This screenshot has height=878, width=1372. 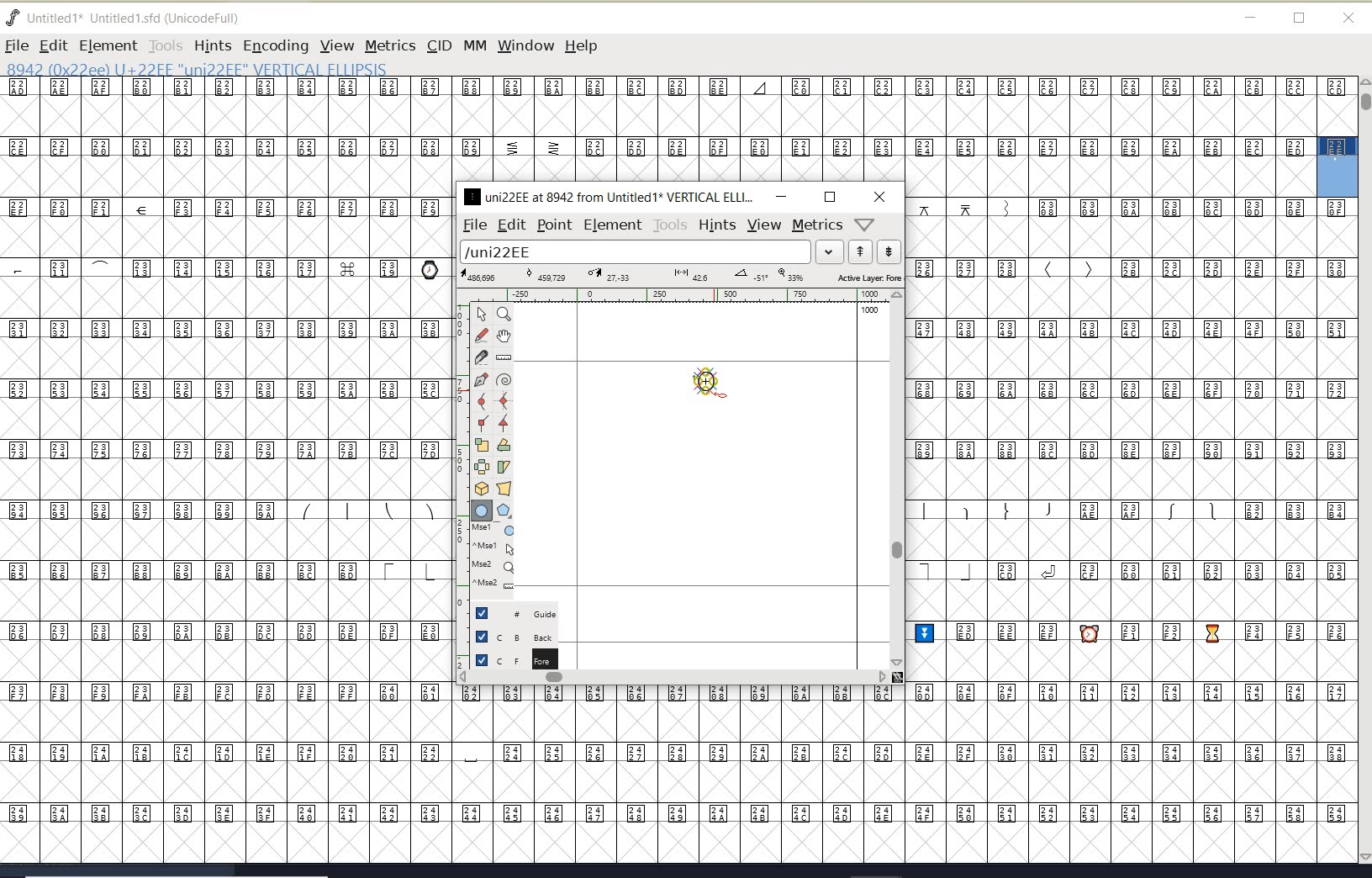 What do you see at coordinates (764, 225) in the screenshot?
I see `view` at bounding box center [764, 225].